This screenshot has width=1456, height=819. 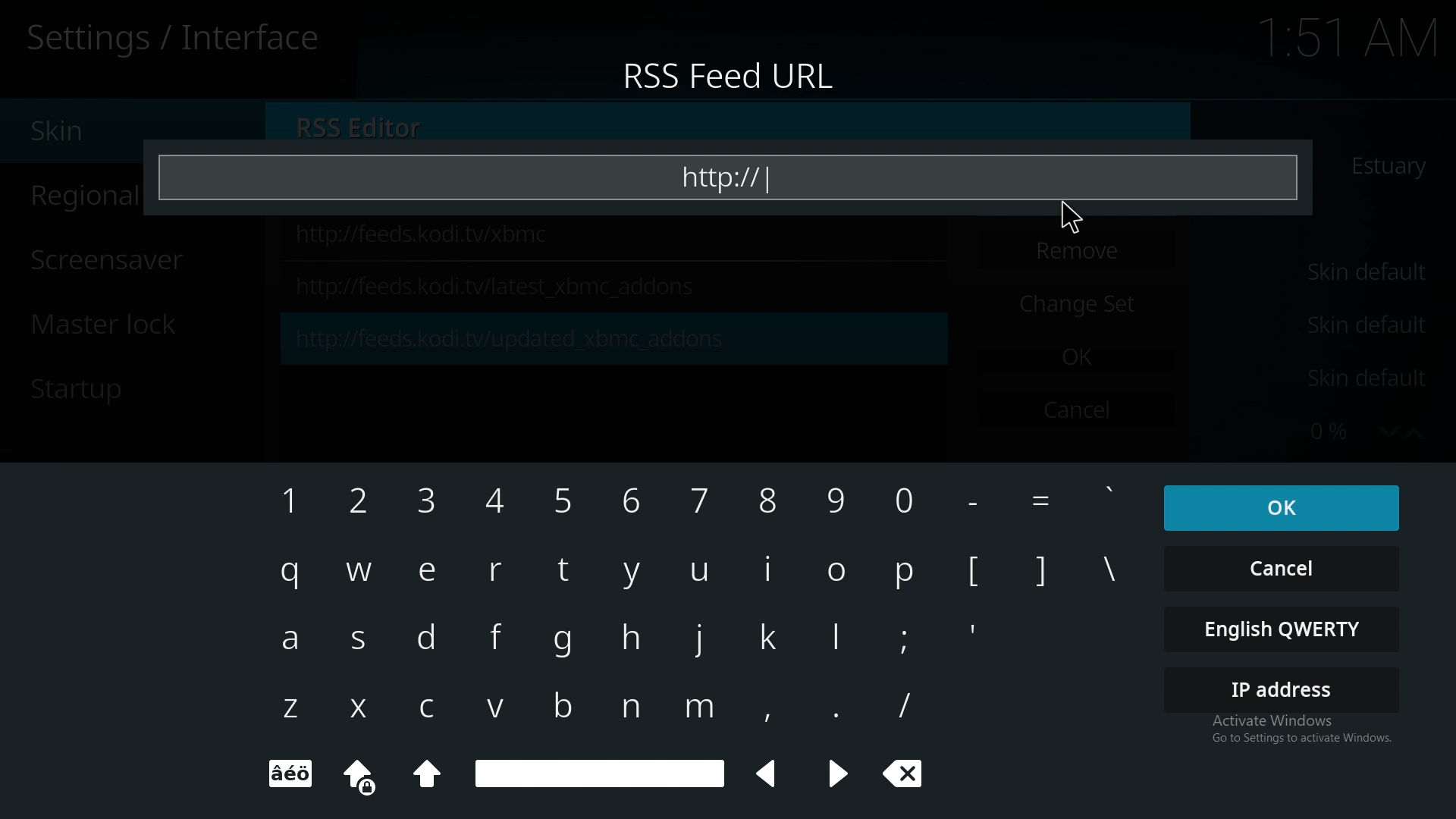 What do you see at coordinates (976, 573) in the screenshot?
I see `[` at bounding box center [976, 573].